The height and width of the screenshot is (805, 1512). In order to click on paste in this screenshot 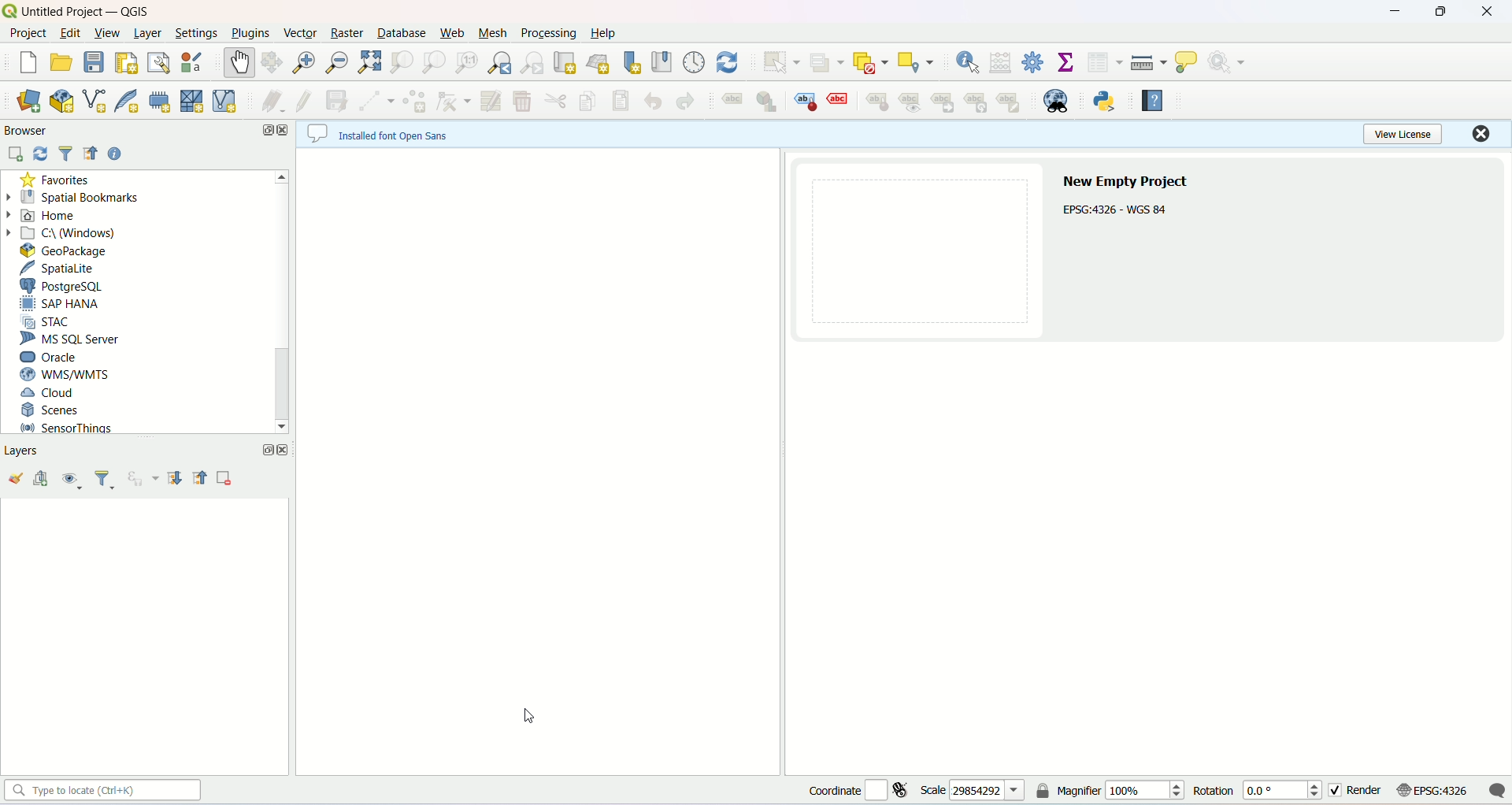, I will do `click(620, 99)`.